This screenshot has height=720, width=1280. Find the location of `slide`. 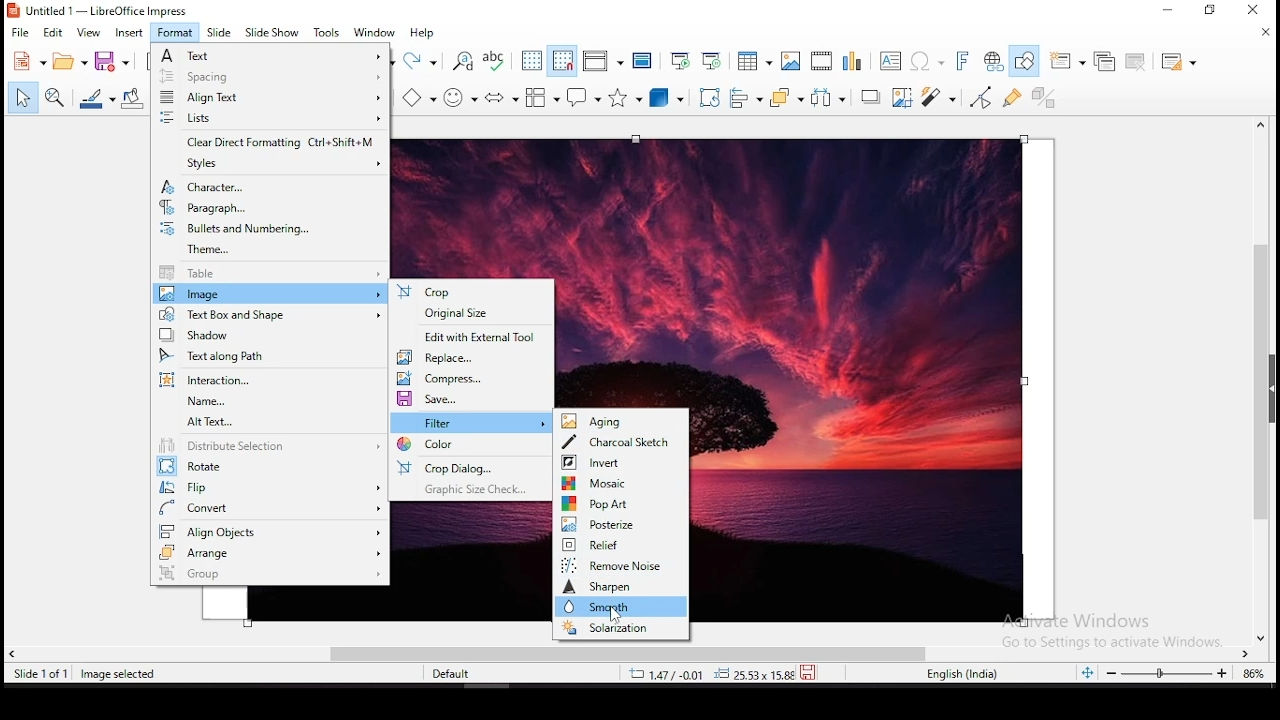

slide is located at coordinates (220, 32).